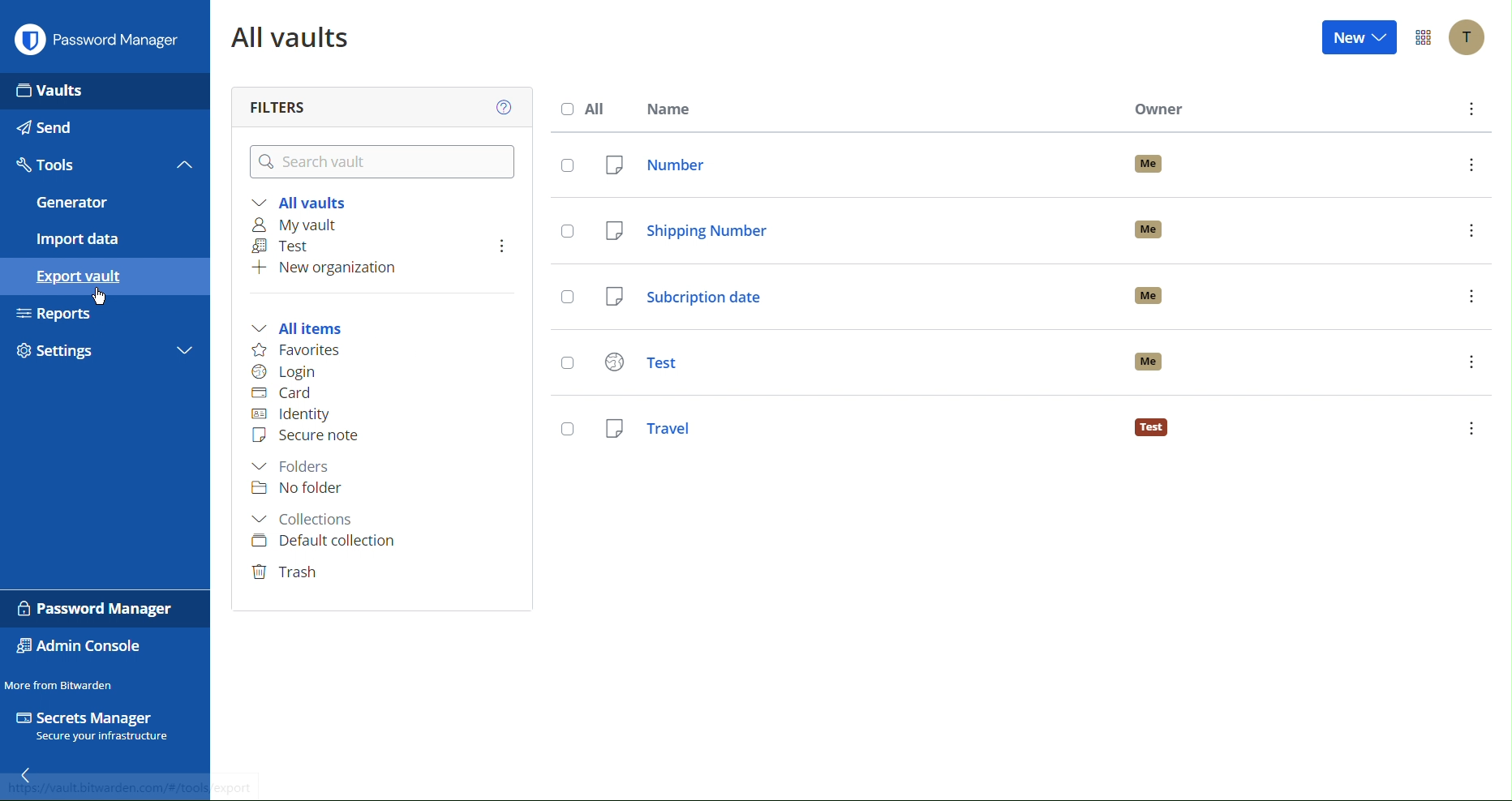 This screenshot has width=1512, height=801. I want to click on Help, so click(504, 108).